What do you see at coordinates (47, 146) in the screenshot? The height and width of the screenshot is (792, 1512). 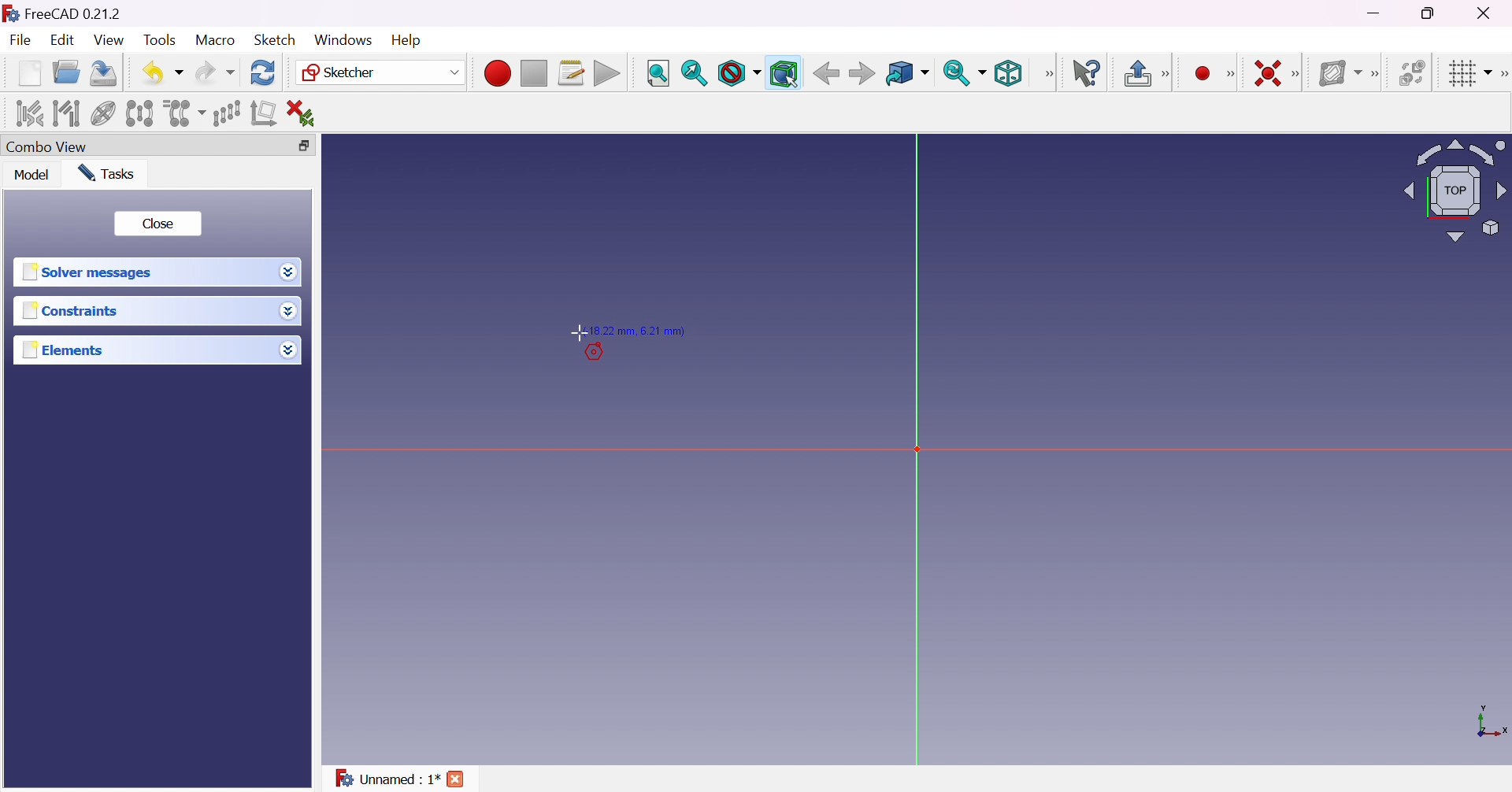 I see `Combo View` at bounding box center [47, 146].